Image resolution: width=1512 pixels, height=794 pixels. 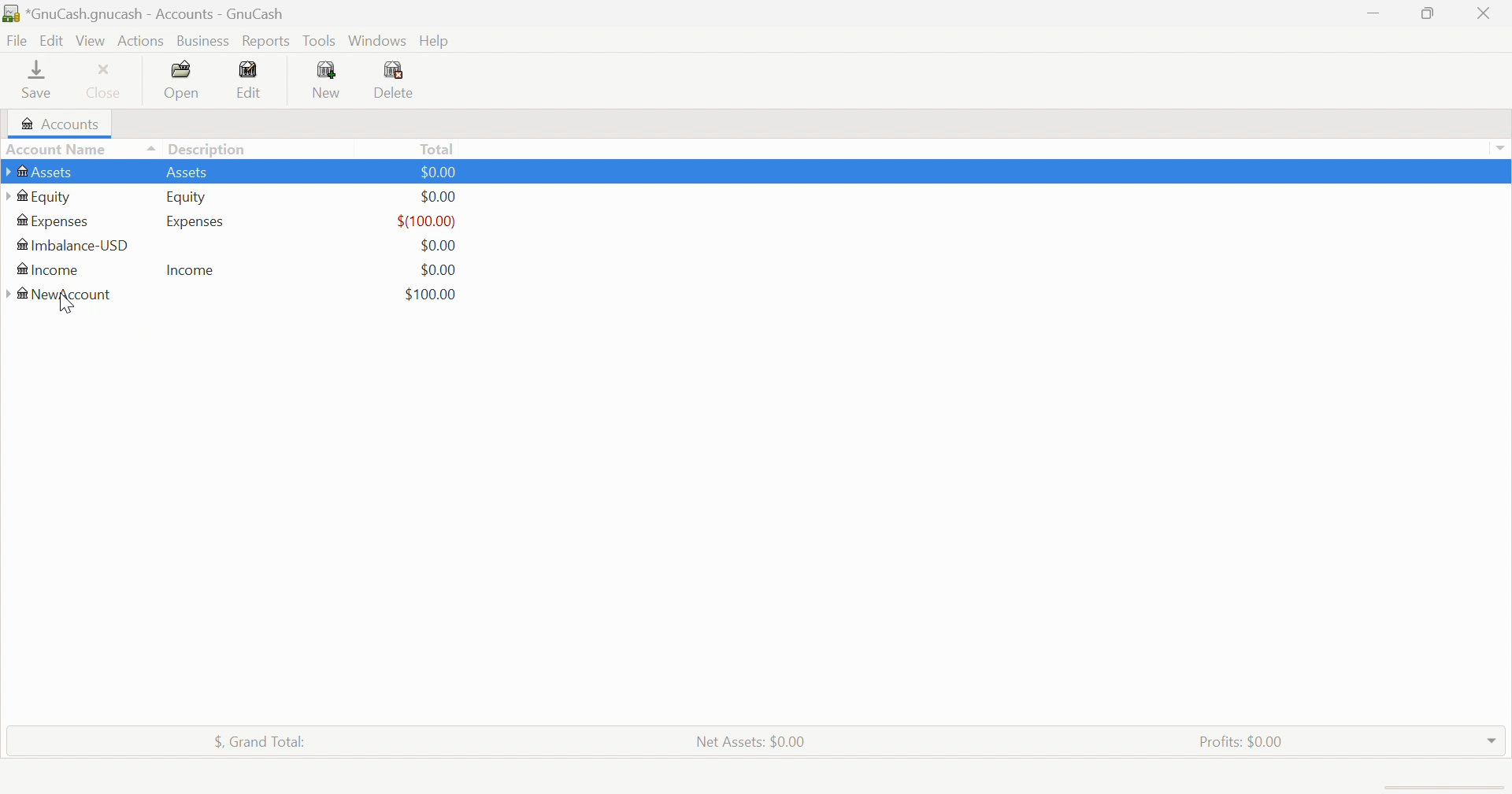 I want to click on View, so click(x=91, y=41).